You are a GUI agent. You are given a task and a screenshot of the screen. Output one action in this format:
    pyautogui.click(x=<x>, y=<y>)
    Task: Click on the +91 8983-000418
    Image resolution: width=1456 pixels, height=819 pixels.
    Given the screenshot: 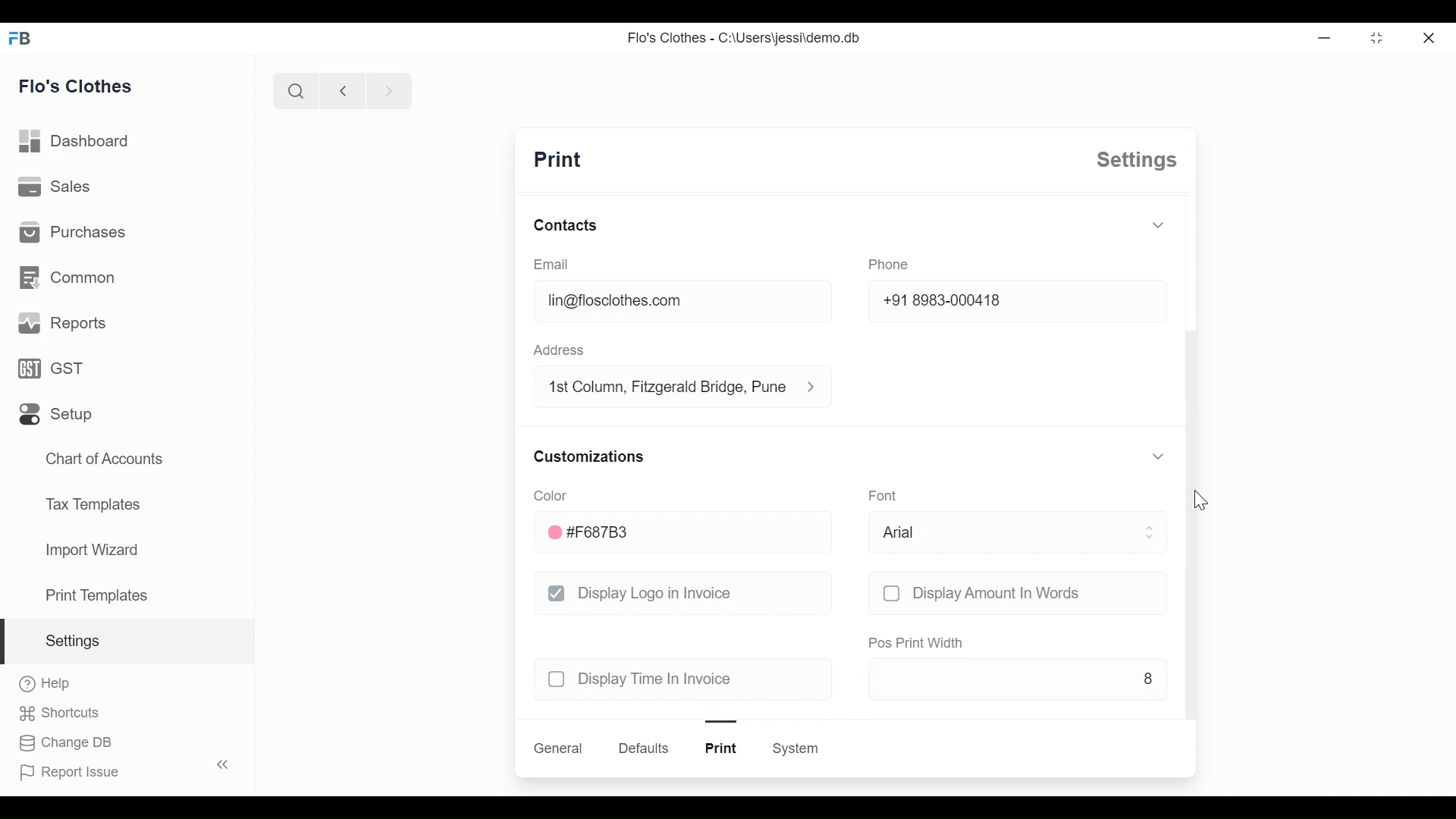 What is the action you would take?
    pyautogui.click(x=1018, y=300)
    